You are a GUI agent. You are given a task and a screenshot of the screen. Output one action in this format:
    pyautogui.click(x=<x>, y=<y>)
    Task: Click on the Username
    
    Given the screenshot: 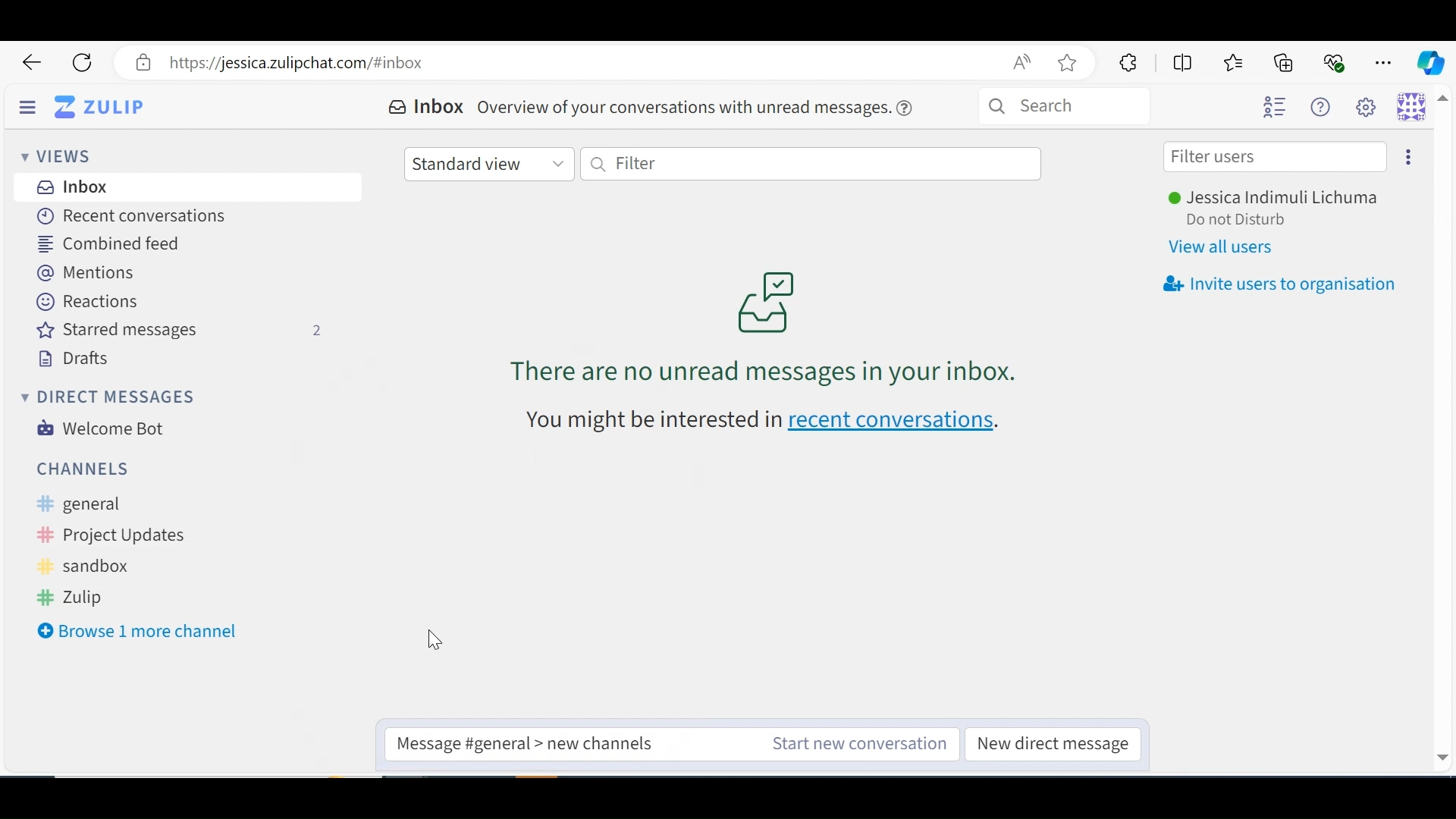 What is the action you would take?
    pyautogui.click(x=1281, y=199)
    